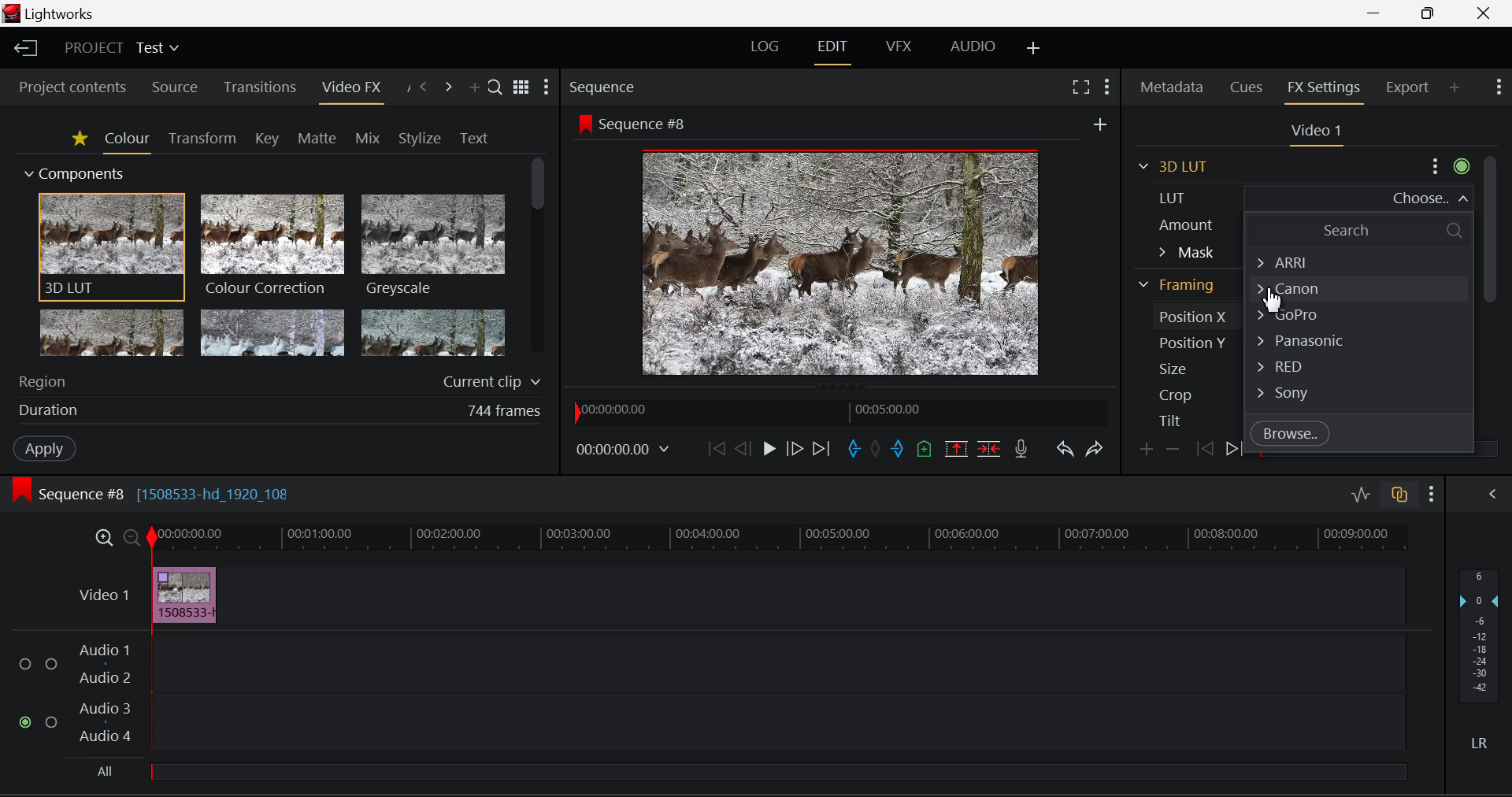 Image resolution: width=1512 pixels, height=797 pixels. What do you see at coordinates (766, 51) in the screenshot?
I see `LOG Layout` at bounding box center [766, 51].